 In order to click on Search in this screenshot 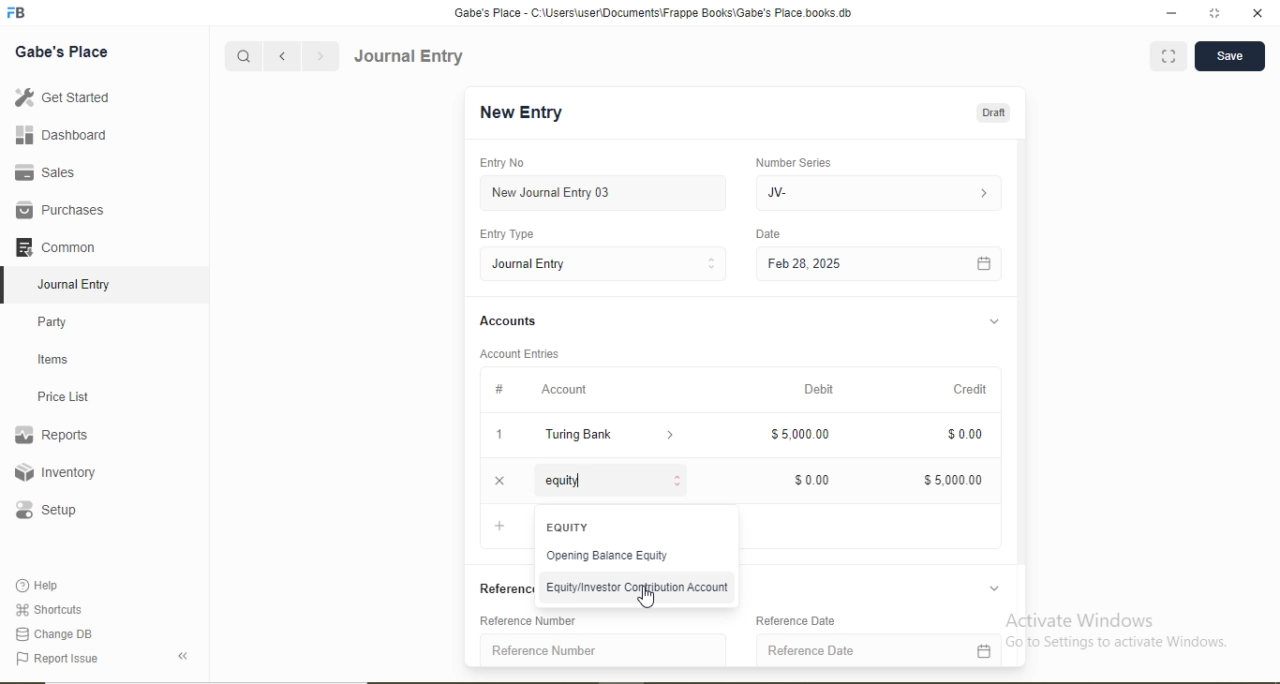, I will do `click(242, 57)`.